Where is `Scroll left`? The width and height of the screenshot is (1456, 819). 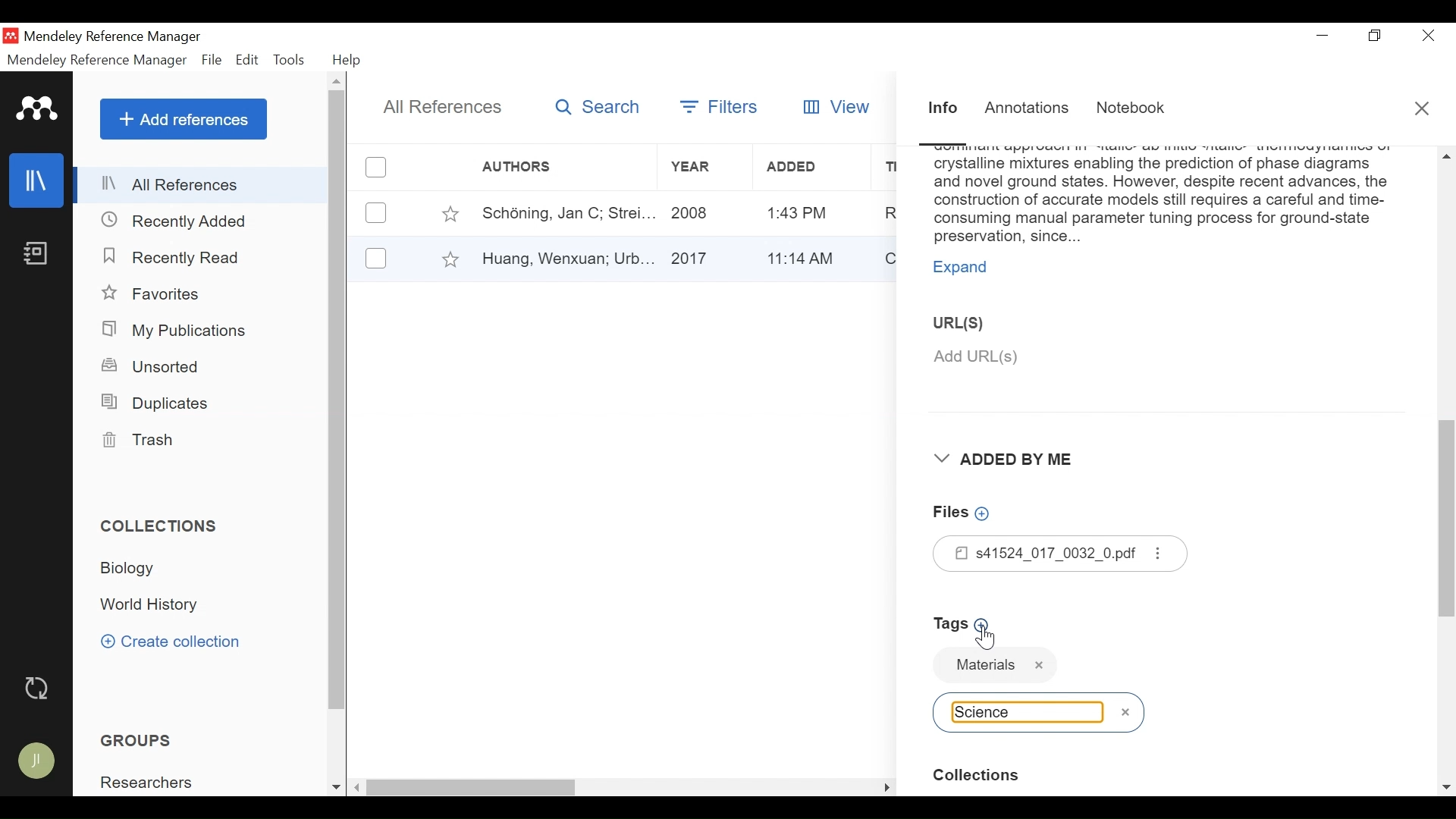 Scroll left is located at coordinates (358, 787).